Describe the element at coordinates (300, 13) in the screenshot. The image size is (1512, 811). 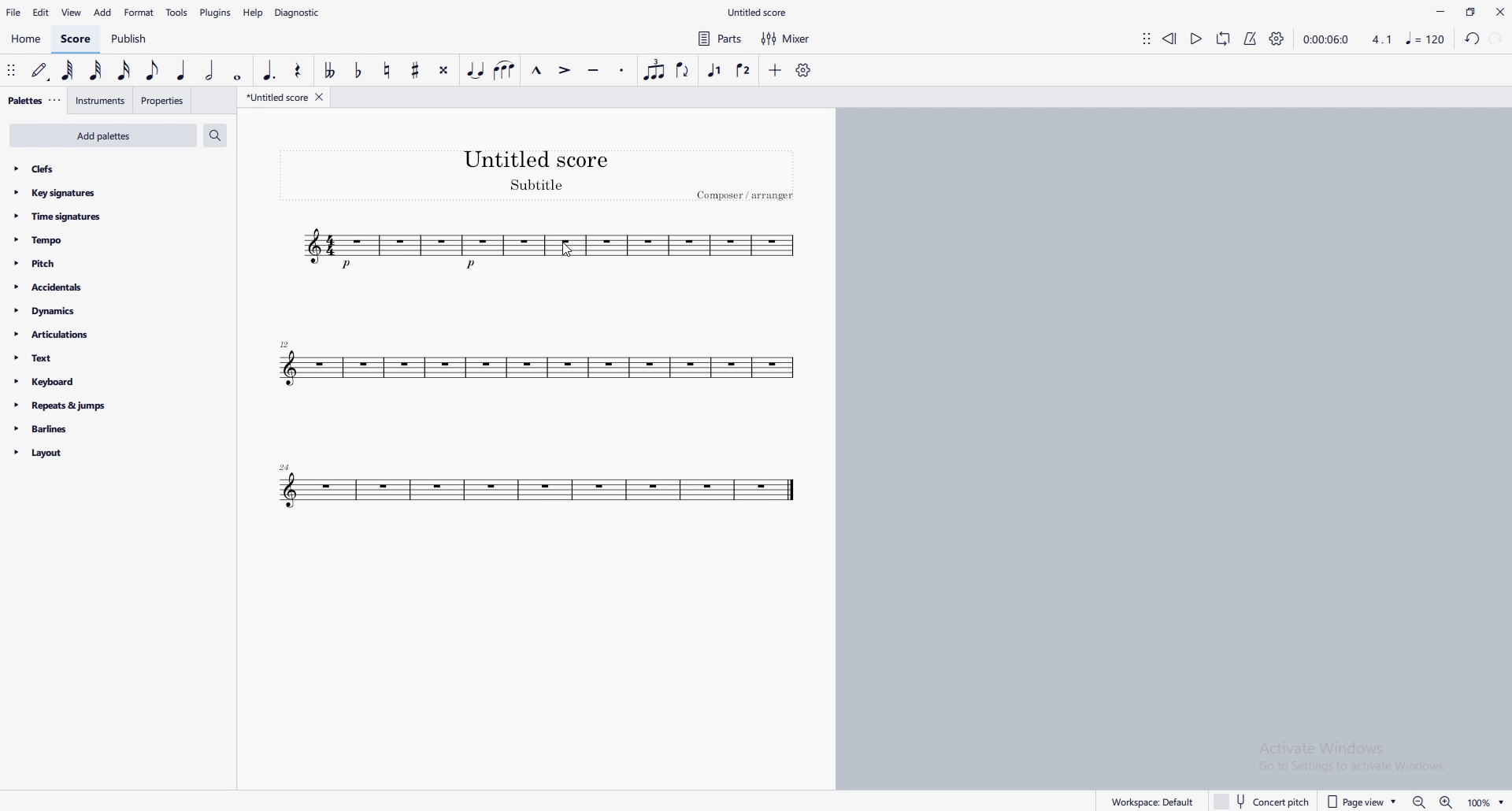
I see `diagnostic` at that location.